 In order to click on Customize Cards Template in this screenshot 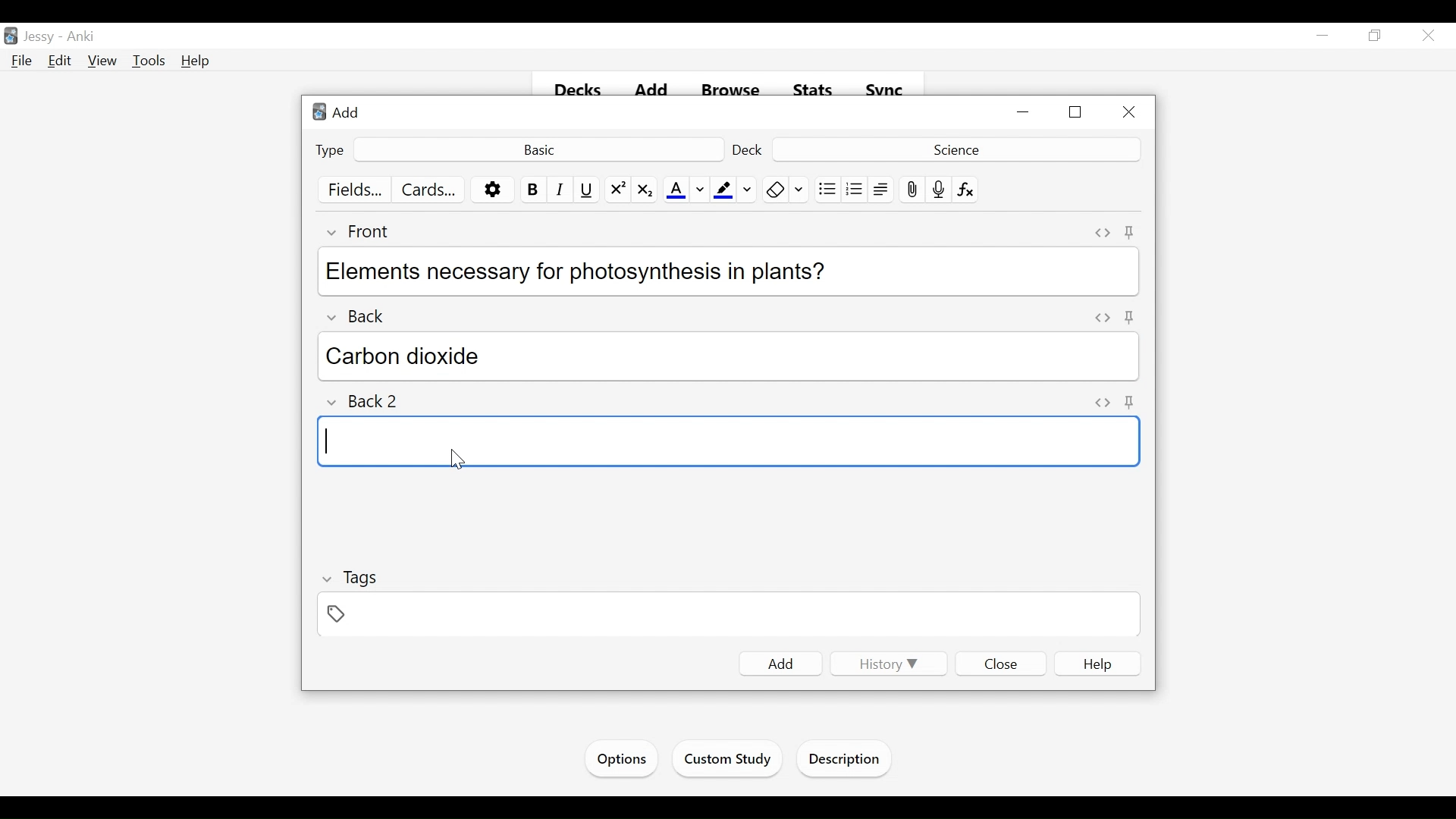, I will do `click(429, 190)`.